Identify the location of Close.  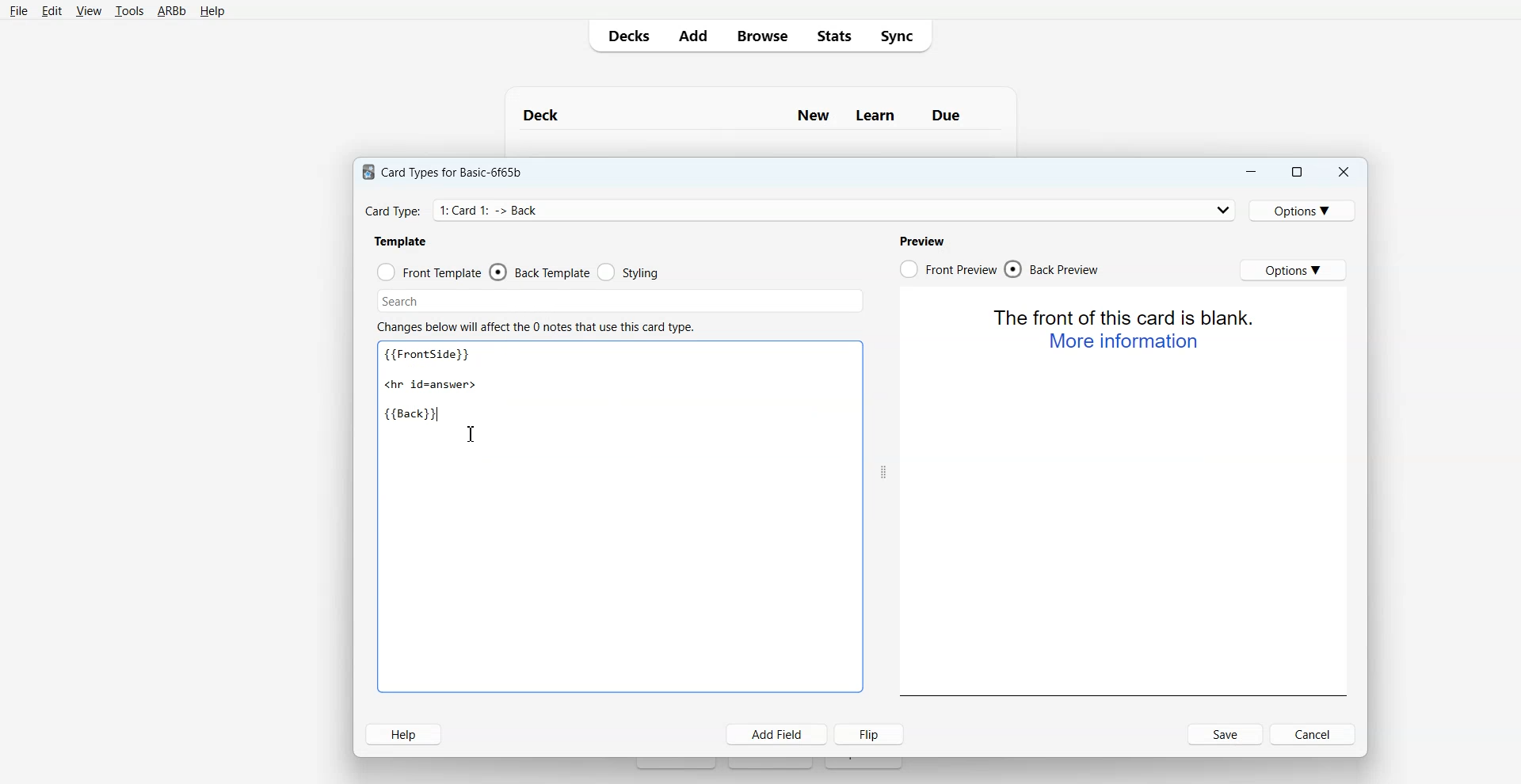
(1344, 171).